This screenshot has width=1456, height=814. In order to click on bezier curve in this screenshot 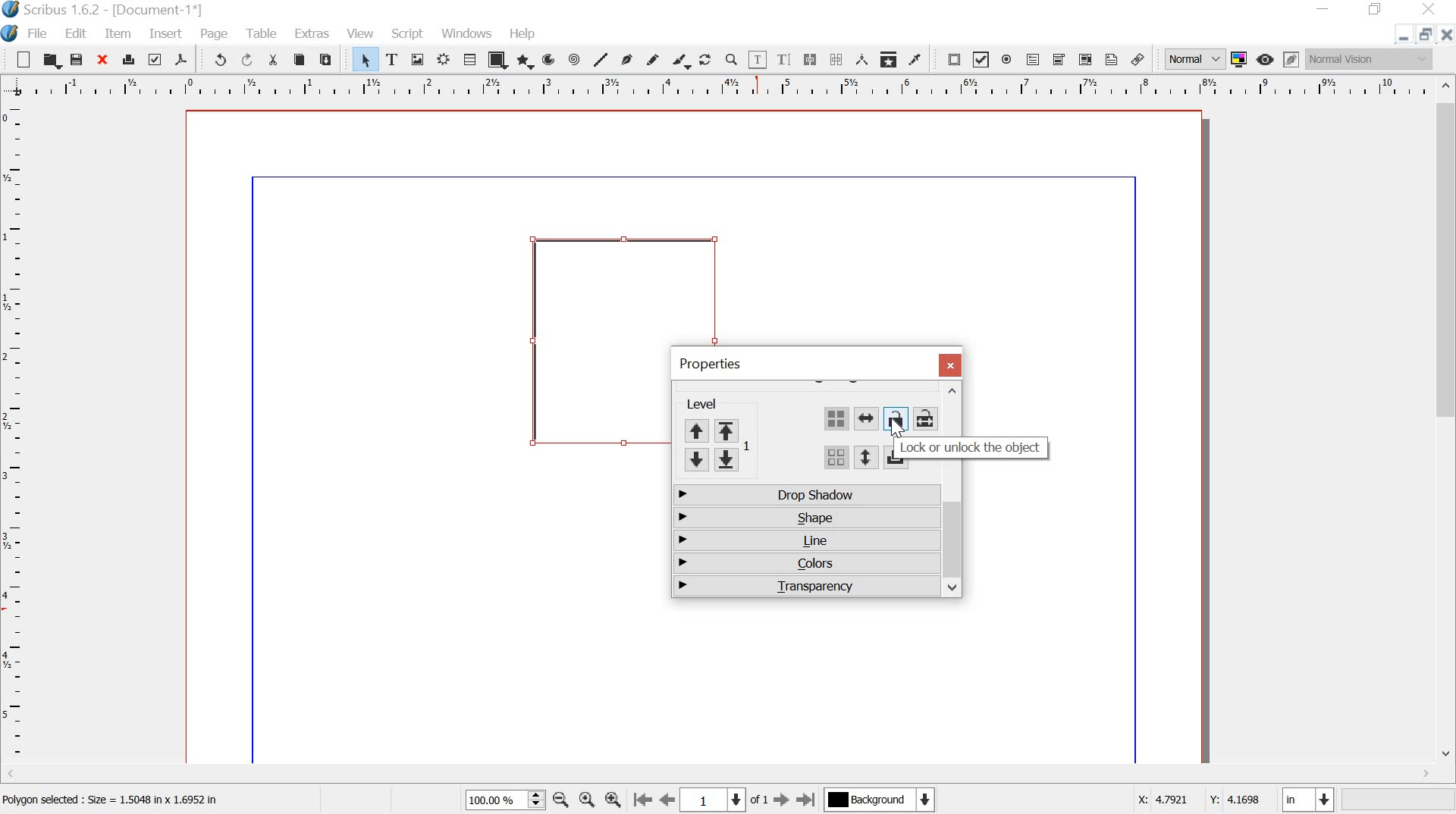, I will do `click(630, 59)`.